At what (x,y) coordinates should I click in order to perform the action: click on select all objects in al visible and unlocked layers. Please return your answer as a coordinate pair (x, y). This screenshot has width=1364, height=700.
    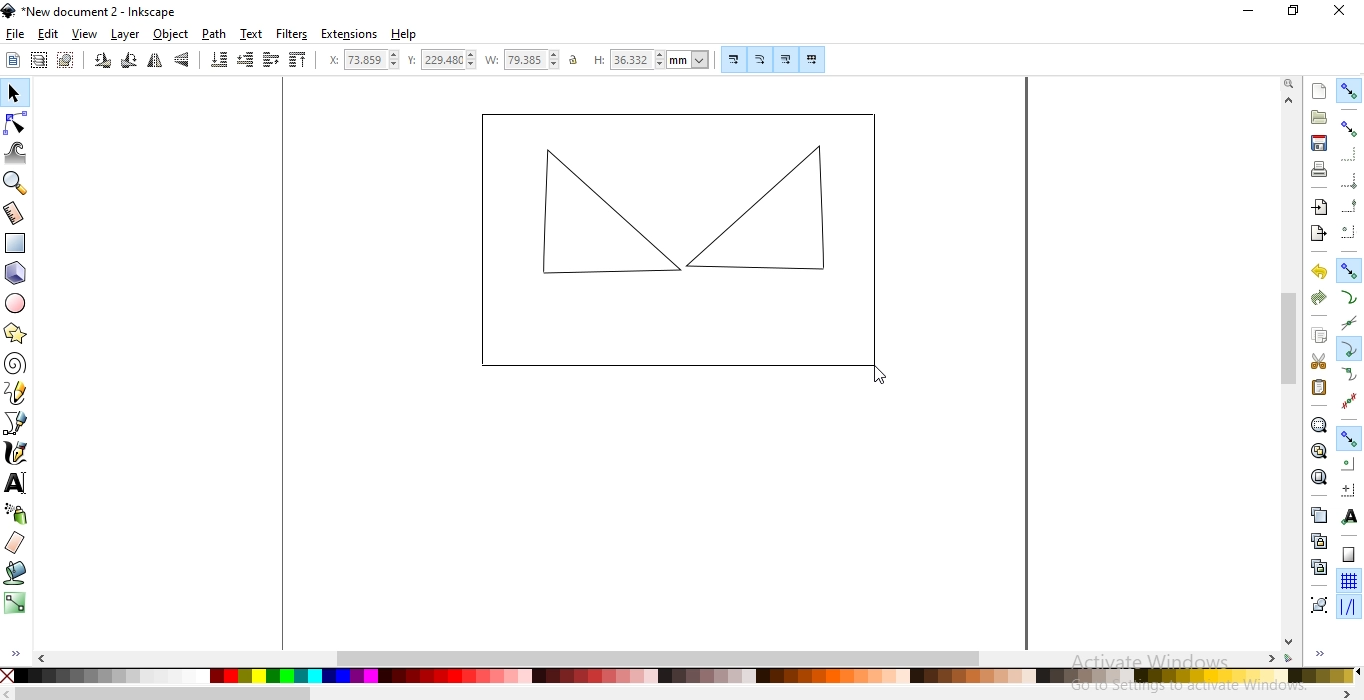
    Looking at the image, I should click on (38, 62).